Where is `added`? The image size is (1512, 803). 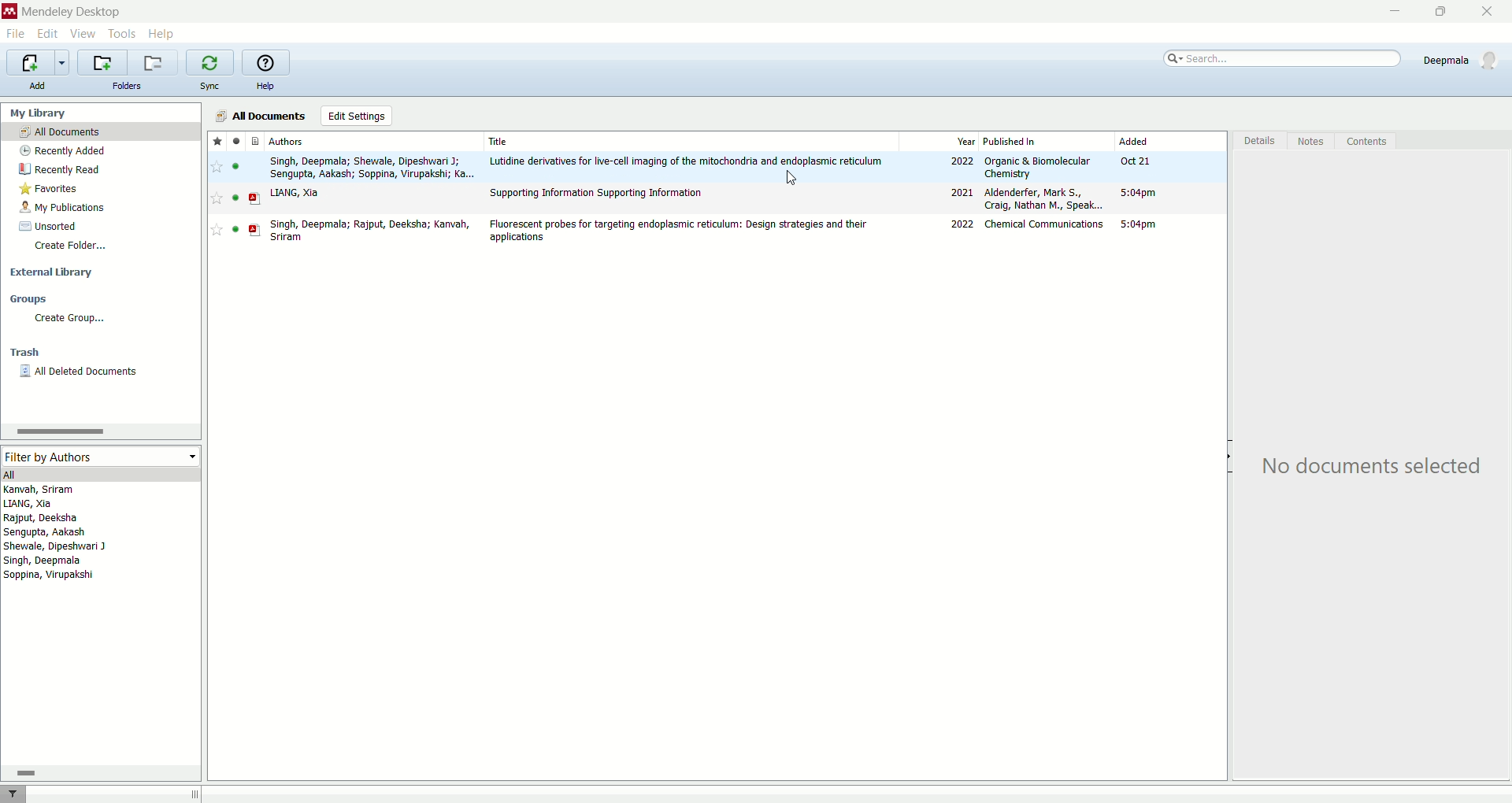
added is located at coordinates (1134, 140).